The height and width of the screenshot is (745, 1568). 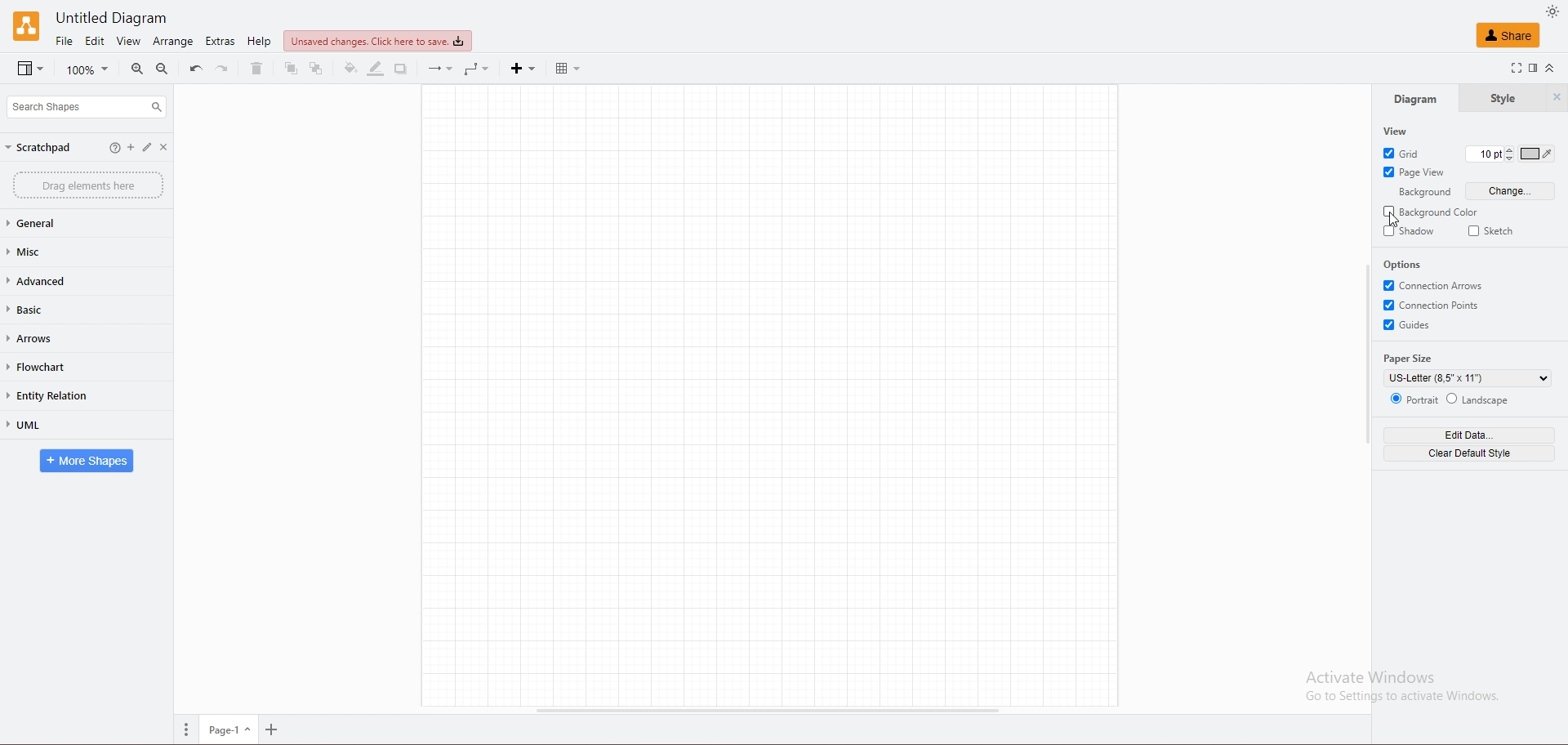 What do you see at coordinates (139, 69) in the screenshot?
I see `zoom in` at bounding box center [139, 69].